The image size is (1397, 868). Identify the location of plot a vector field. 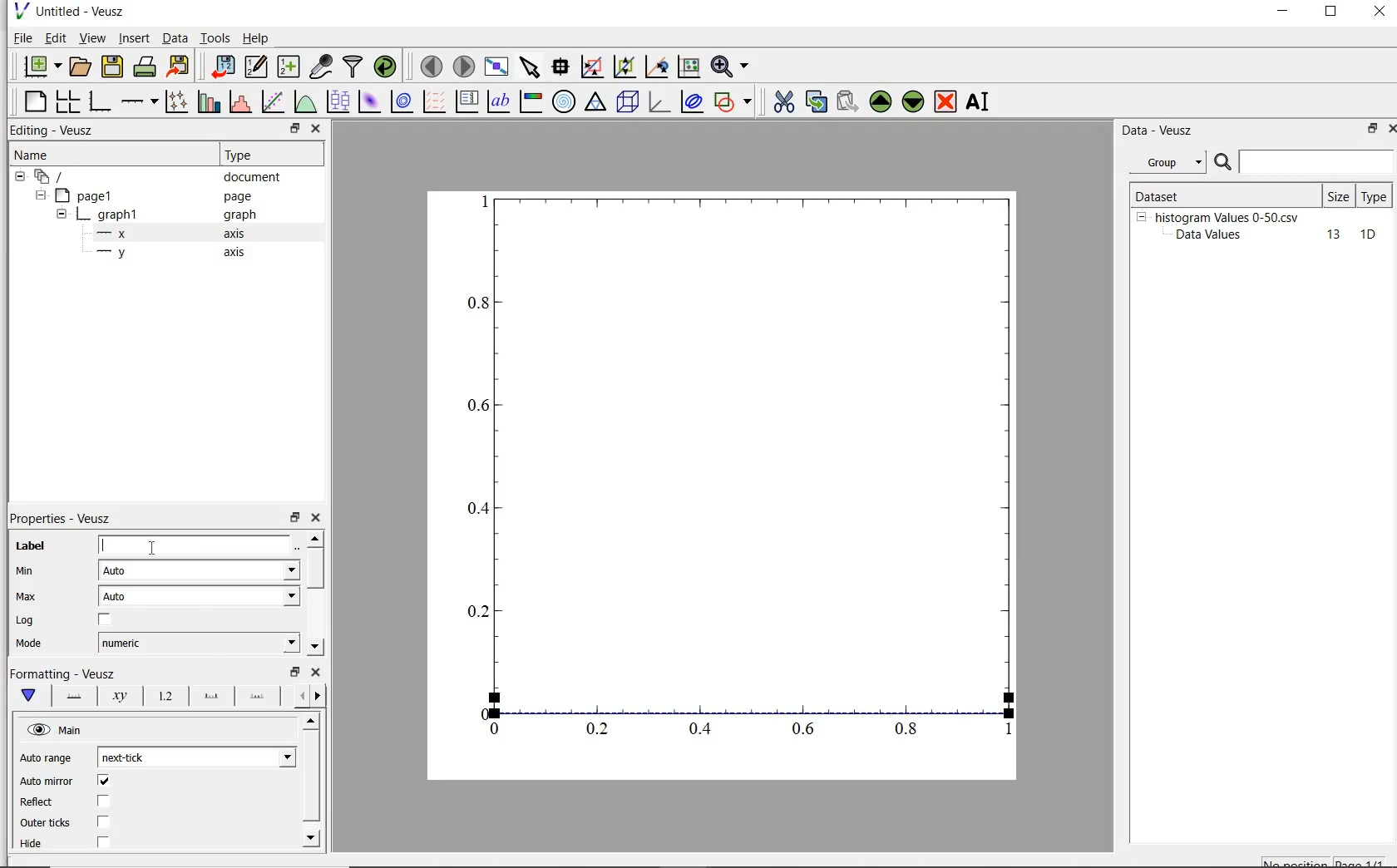
(436, 101).